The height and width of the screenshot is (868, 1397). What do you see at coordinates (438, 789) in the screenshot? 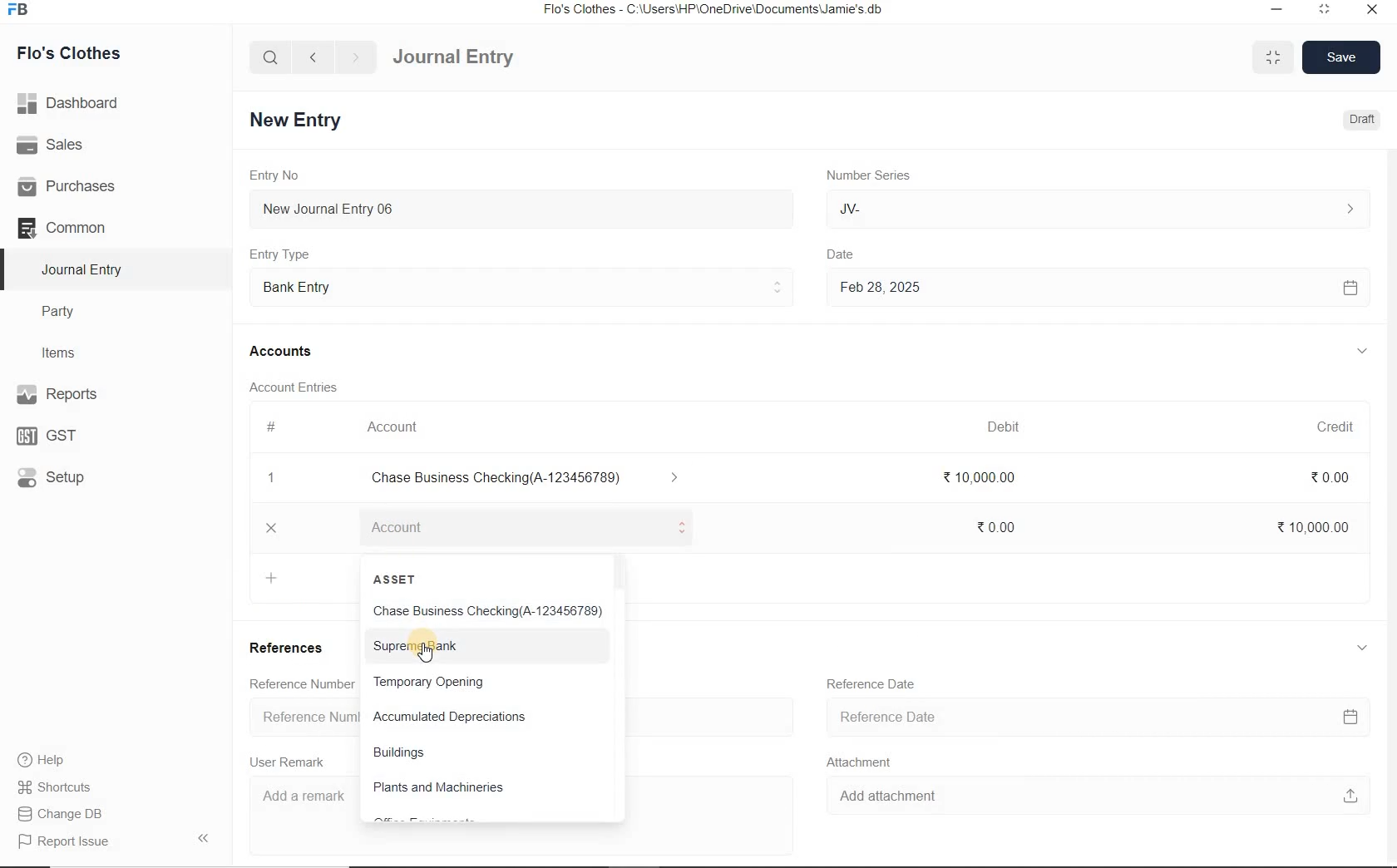
I see `Plants and Machineries` at bounding box center [438, 789].